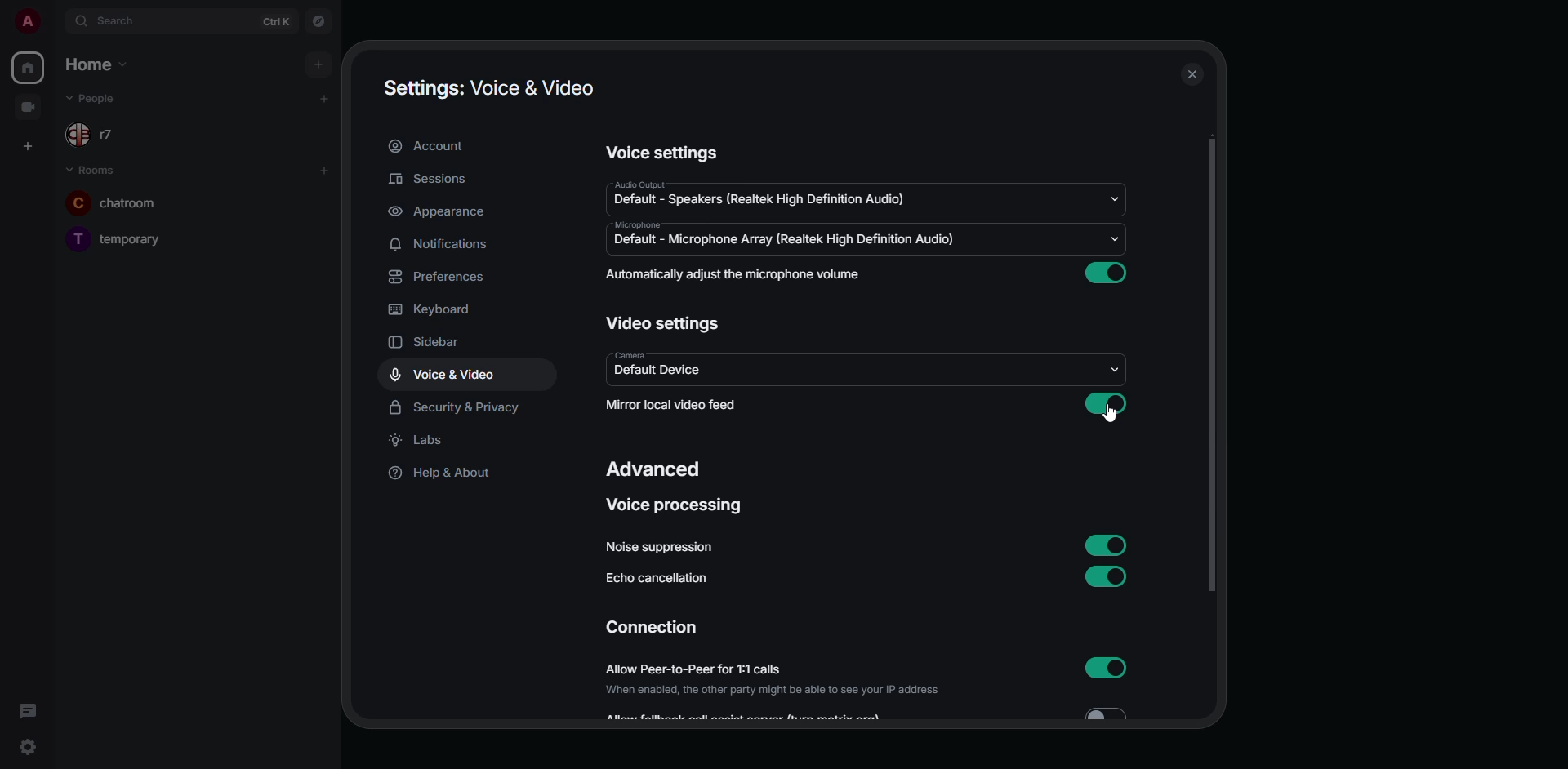  What do you see at coordinates (492, 87) in the screenshot?
I see `settings voice & video` at bounding box center [492, 87].